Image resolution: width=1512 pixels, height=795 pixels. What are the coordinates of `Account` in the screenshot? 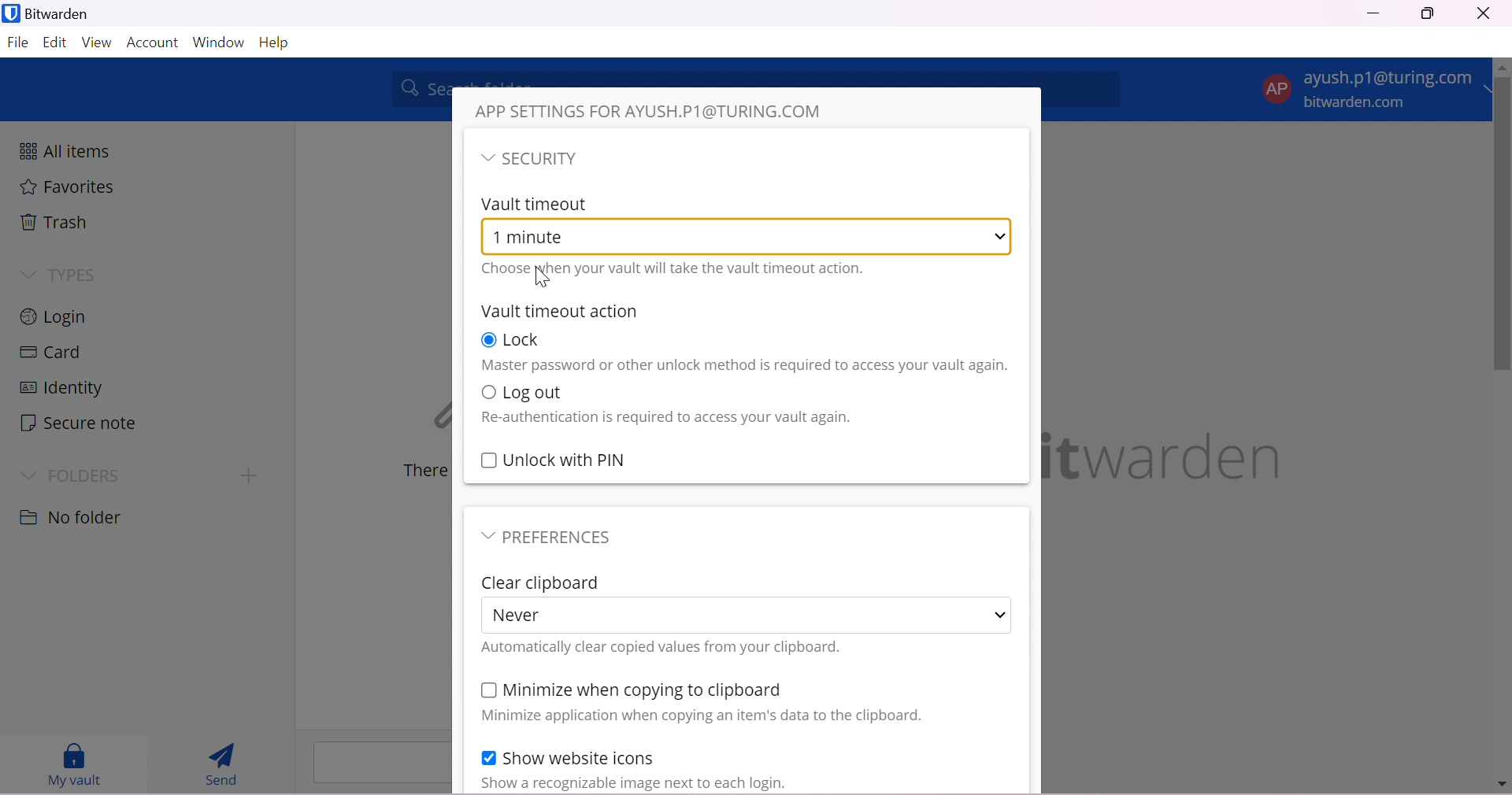 It's located at (154, 43).